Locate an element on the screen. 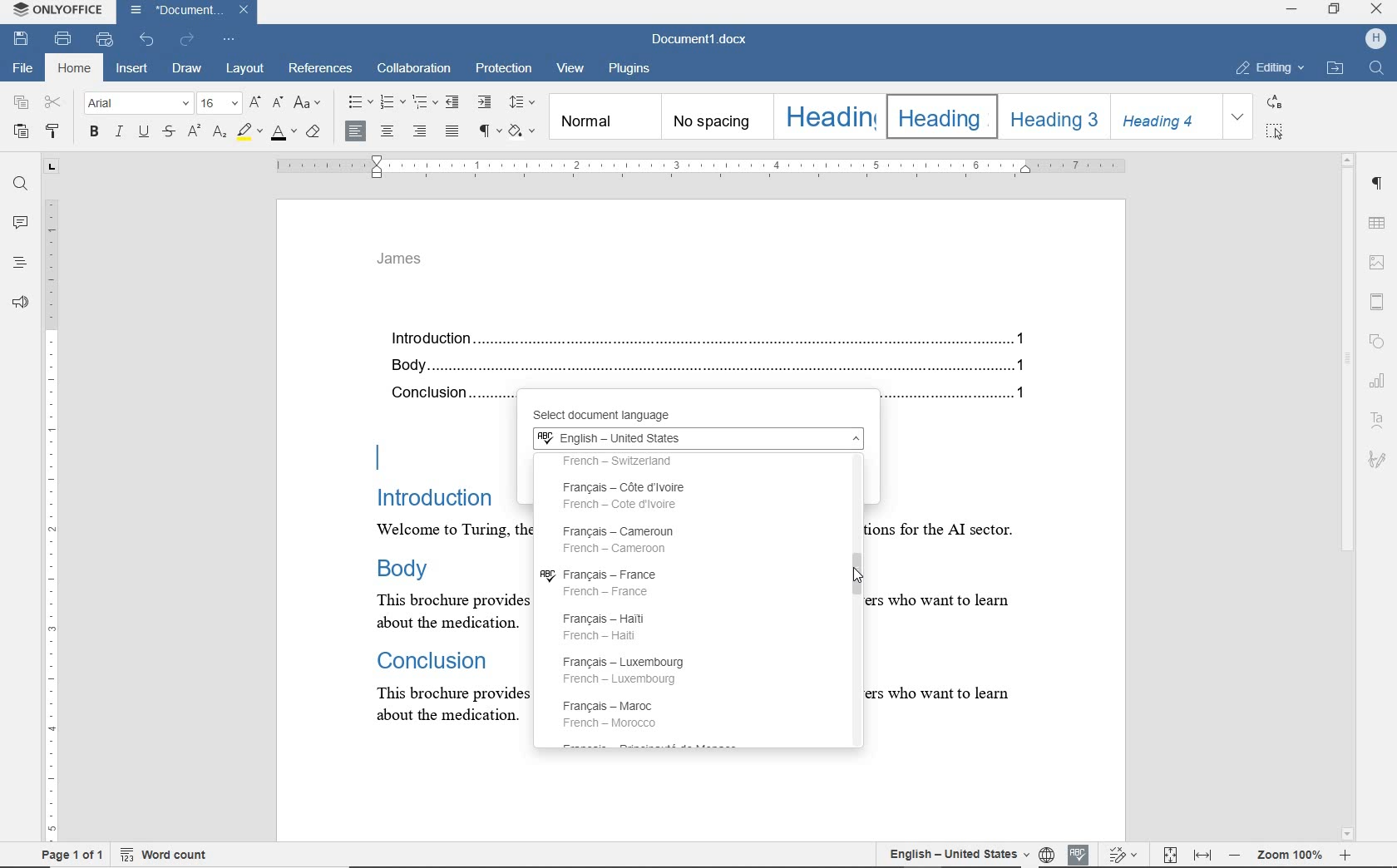  set document language is located at coordinates (950, 853).